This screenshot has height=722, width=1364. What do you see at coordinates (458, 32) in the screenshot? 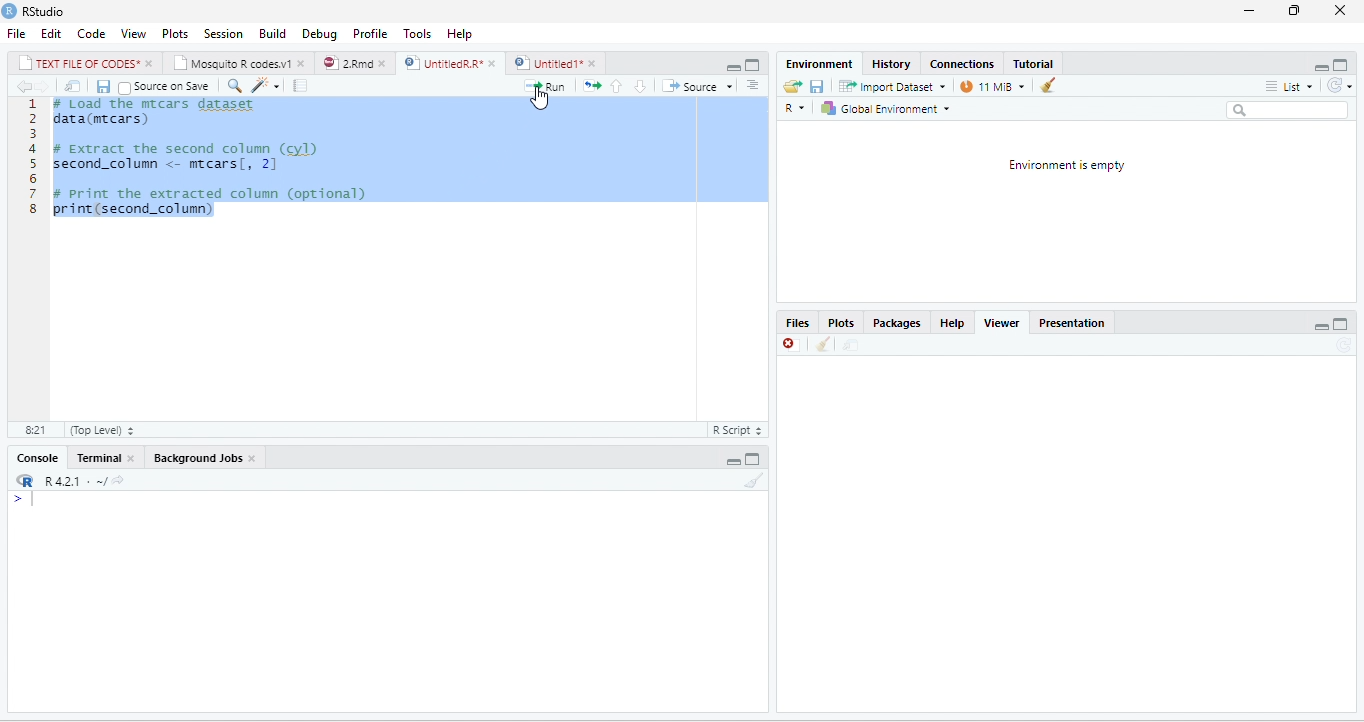
I see `help` at bounding box center [458, 32].